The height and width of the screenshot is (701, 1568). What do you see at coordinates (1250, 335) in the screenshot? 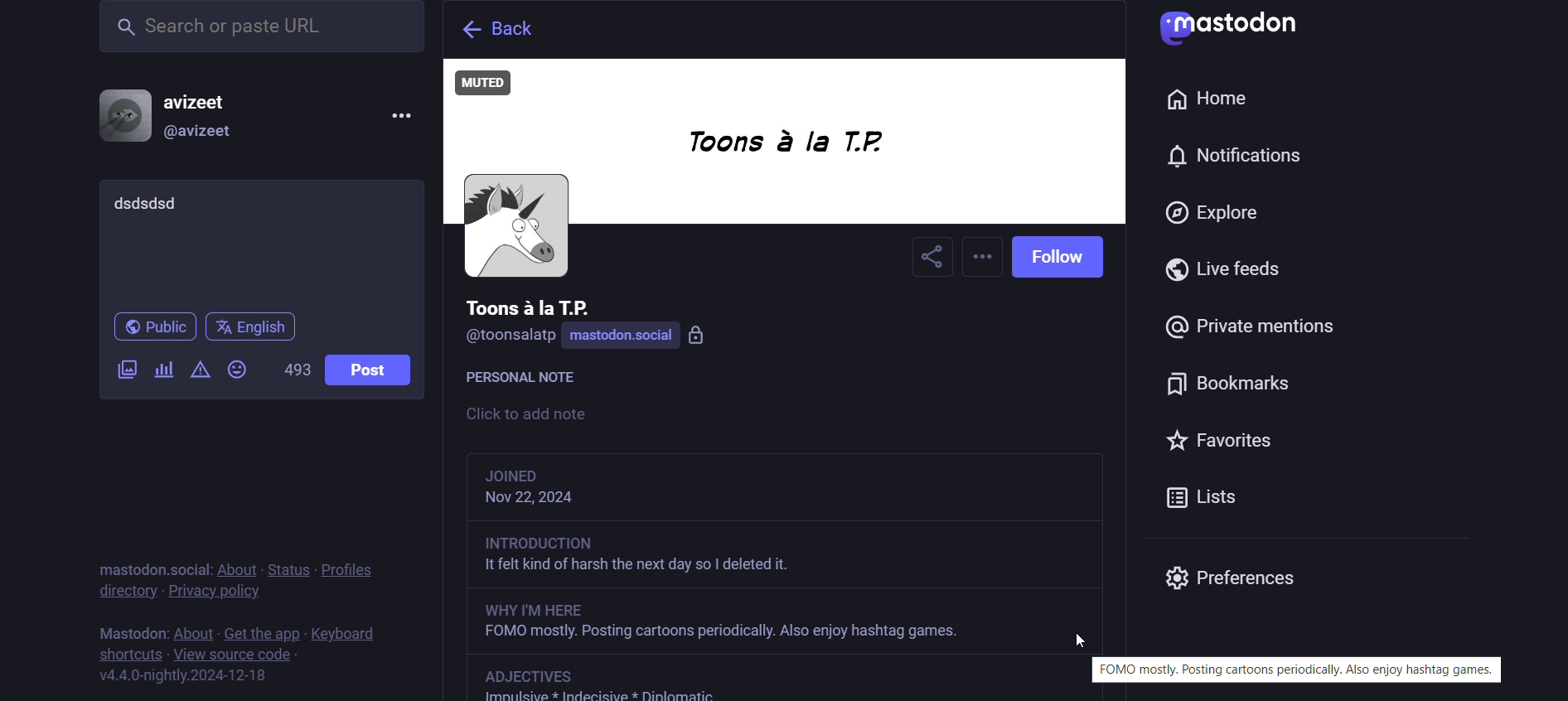
I see `private mentions` at bounding box center [1250, 335].